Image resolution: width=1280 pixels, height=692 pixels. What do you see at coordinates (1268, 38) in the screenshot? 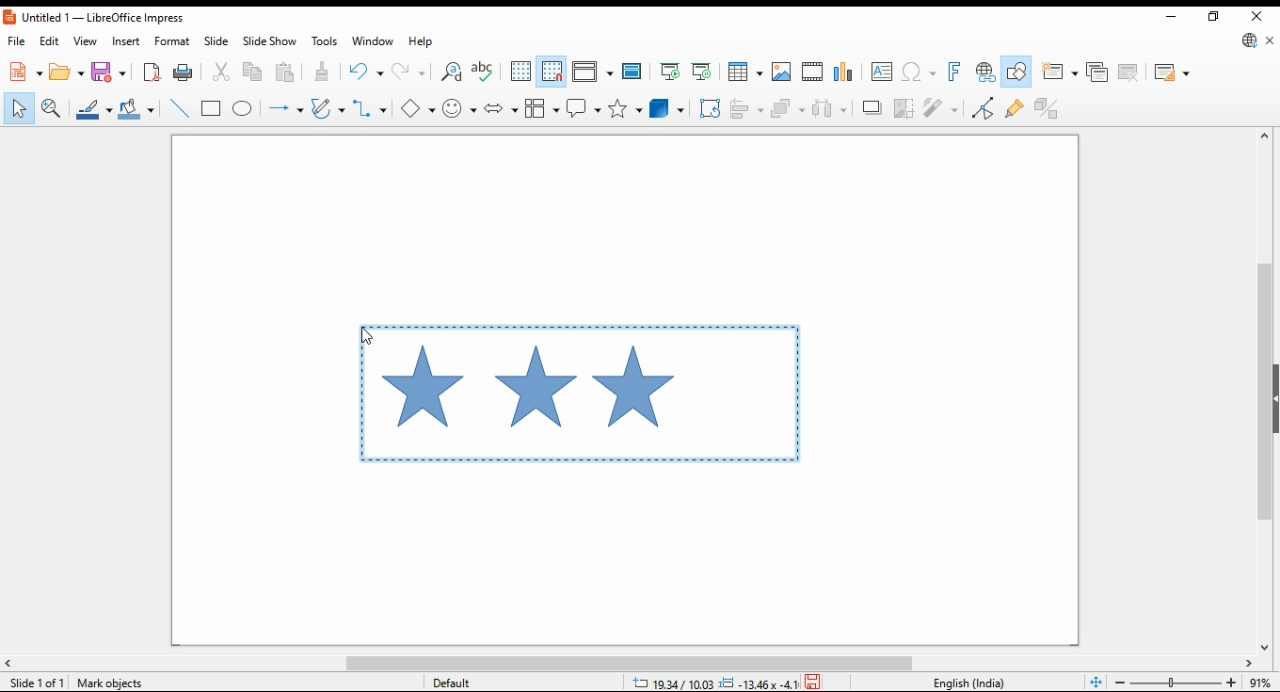
I see `close document` at bounding box center [1268, 38].